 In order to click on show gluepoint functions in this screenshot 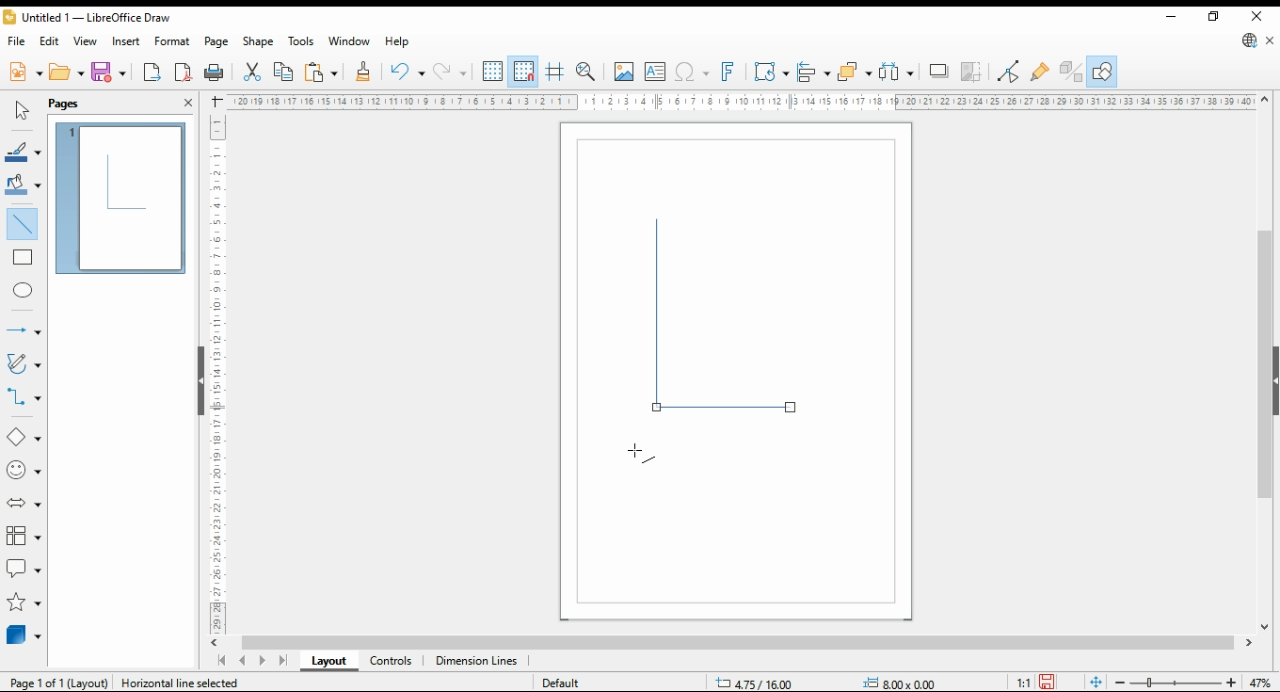, I will do `click(1040, 71)`.